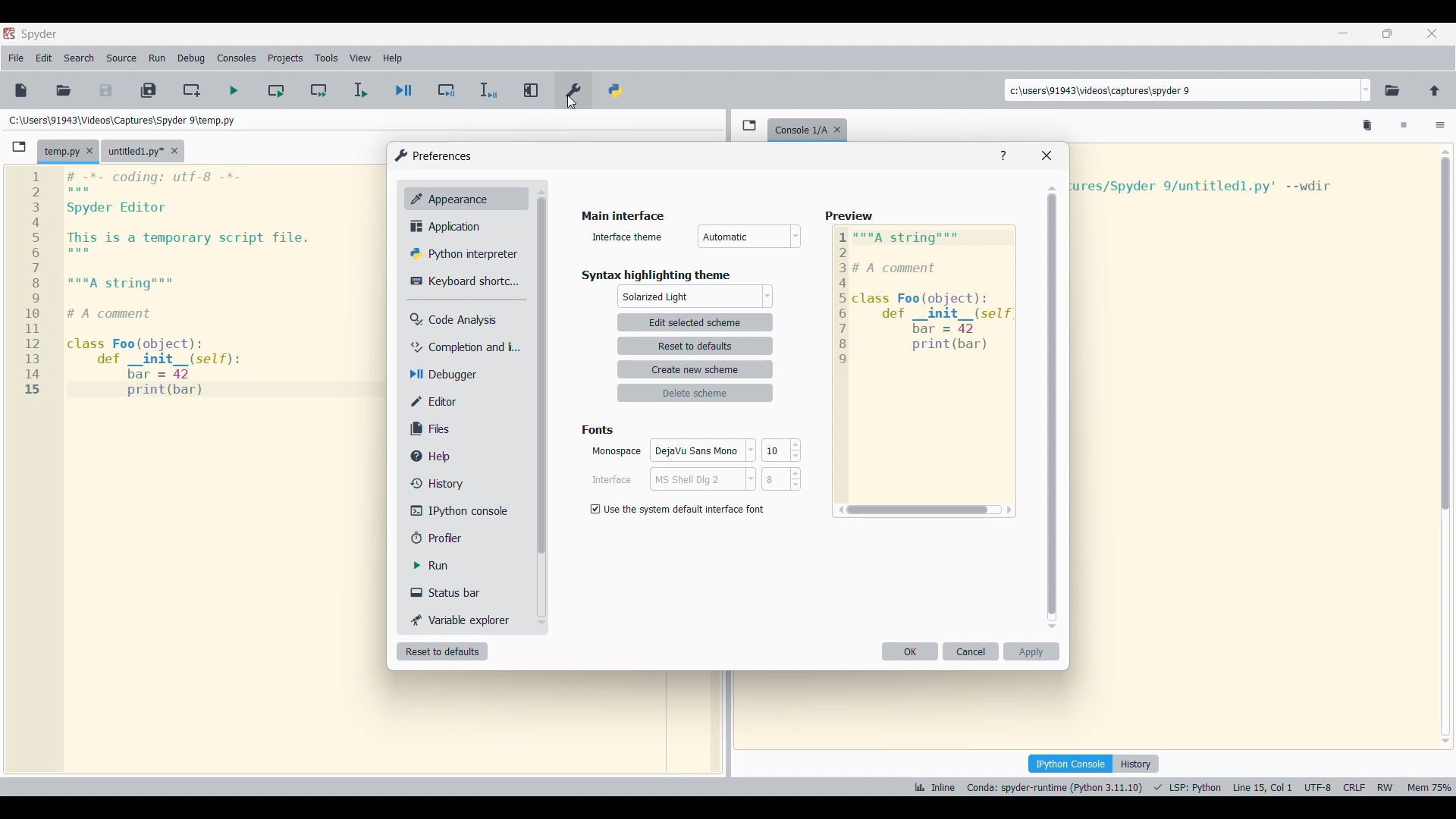 This screenshot has height=819, width=1456. I want to click on Options, so click(1440, 127).